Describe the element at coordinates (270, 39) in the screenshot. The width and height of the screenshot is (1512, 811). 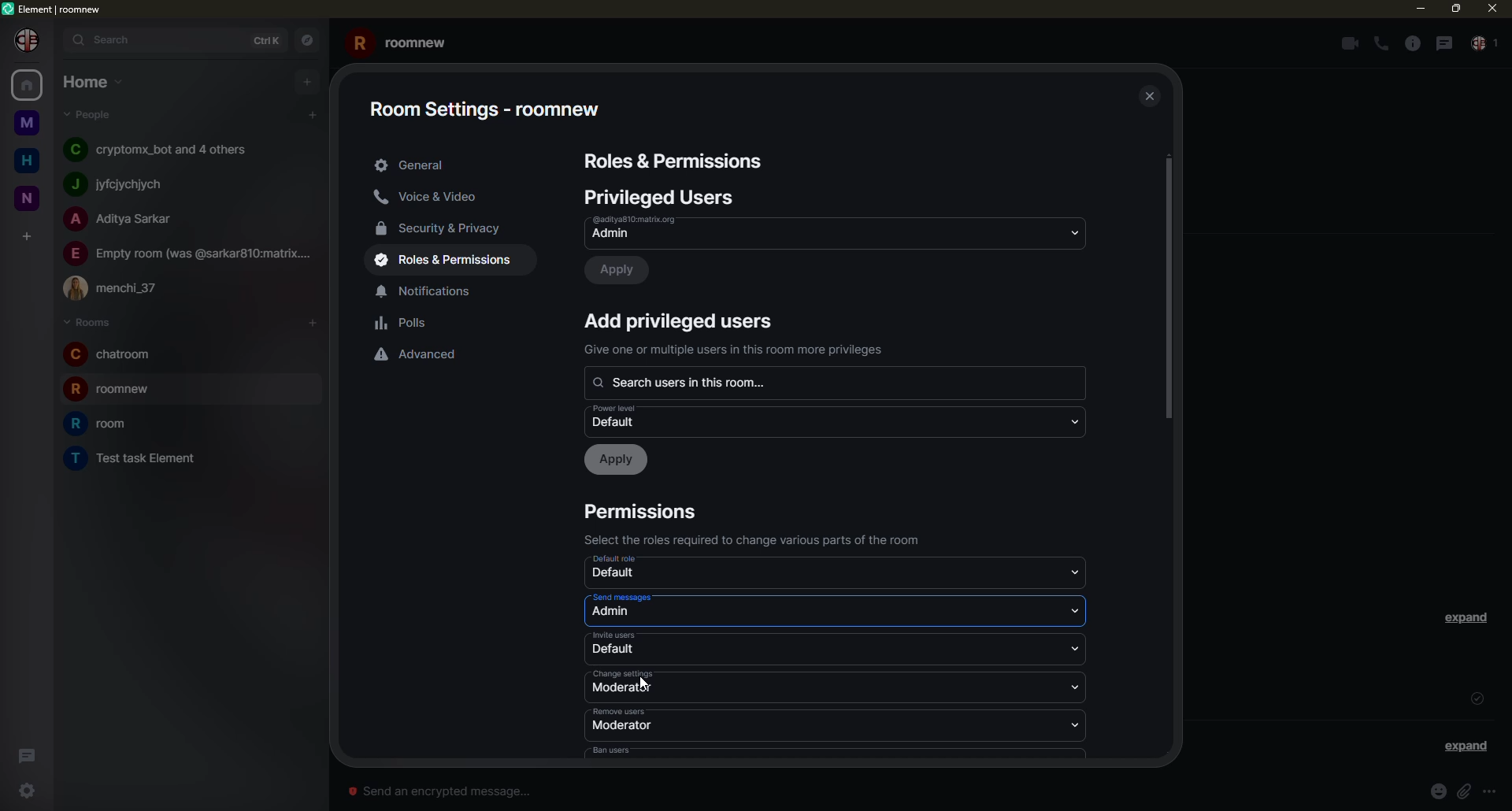
I see `ctrlK` at that location.